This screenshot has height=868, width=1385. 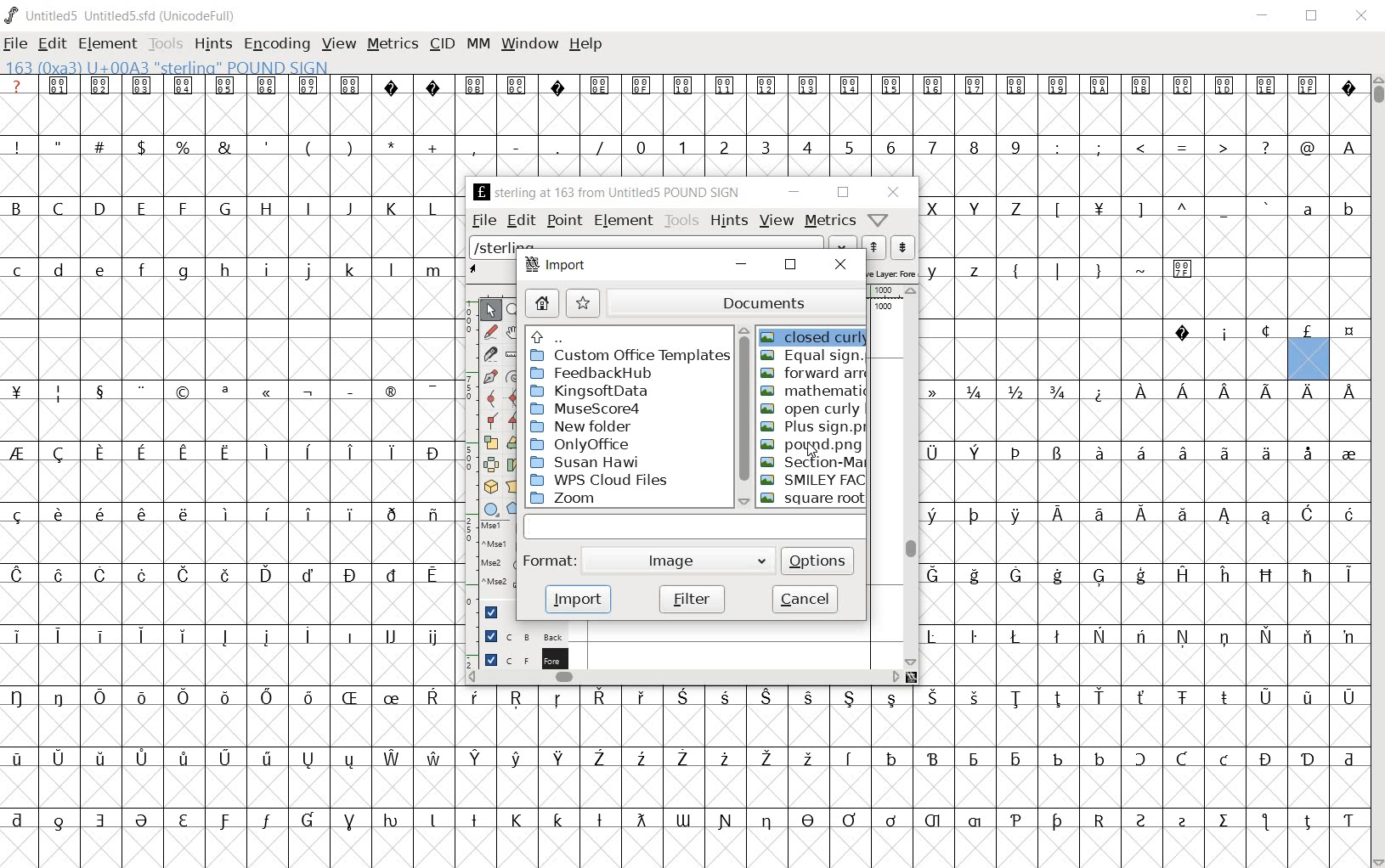 What do you see at coordinates (267, 759) in the screenshot?
I see `Symbol` at bounding box center [267, 759].